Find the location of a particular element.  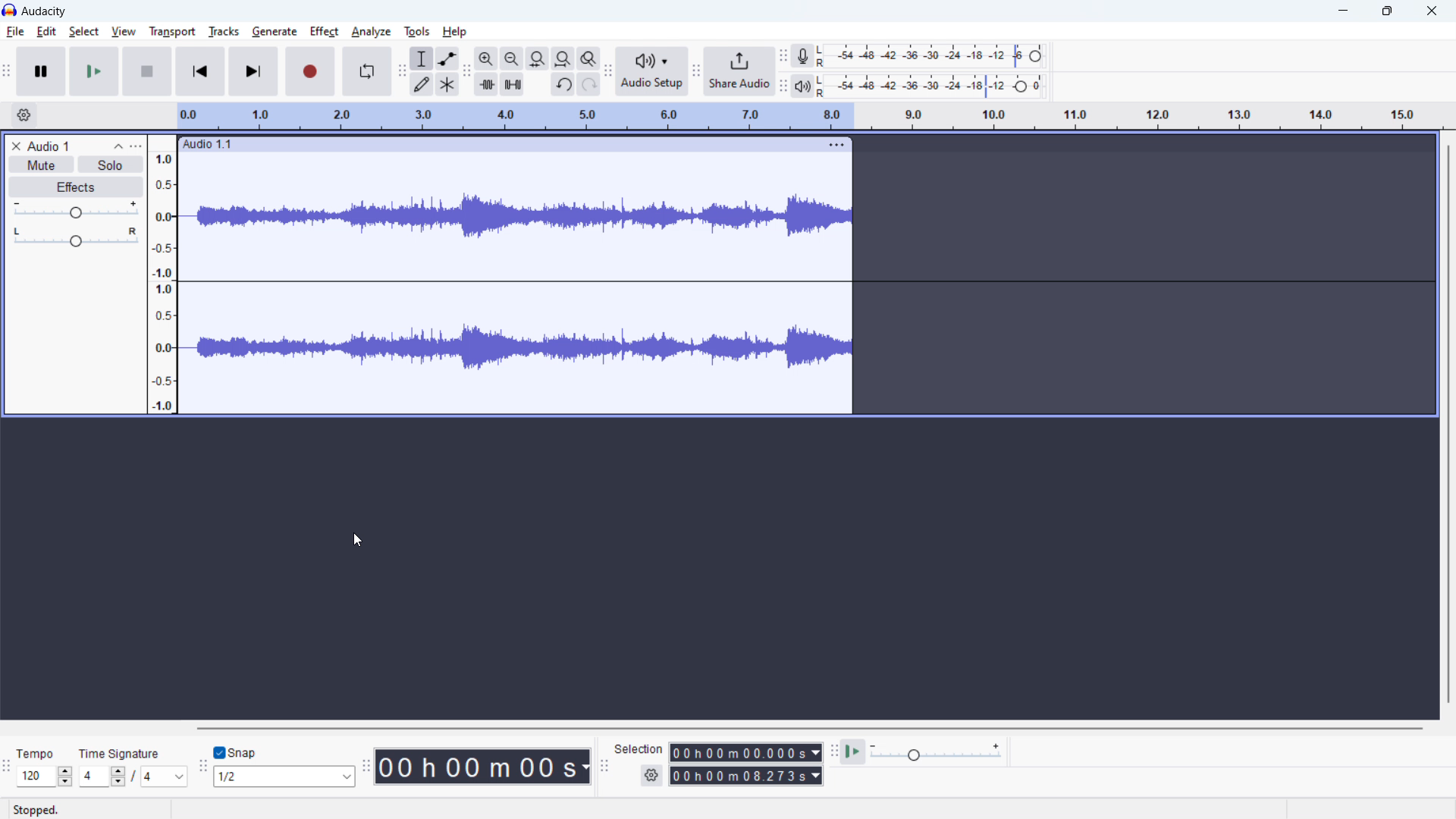

collapse is located at coordinates (118, 146).